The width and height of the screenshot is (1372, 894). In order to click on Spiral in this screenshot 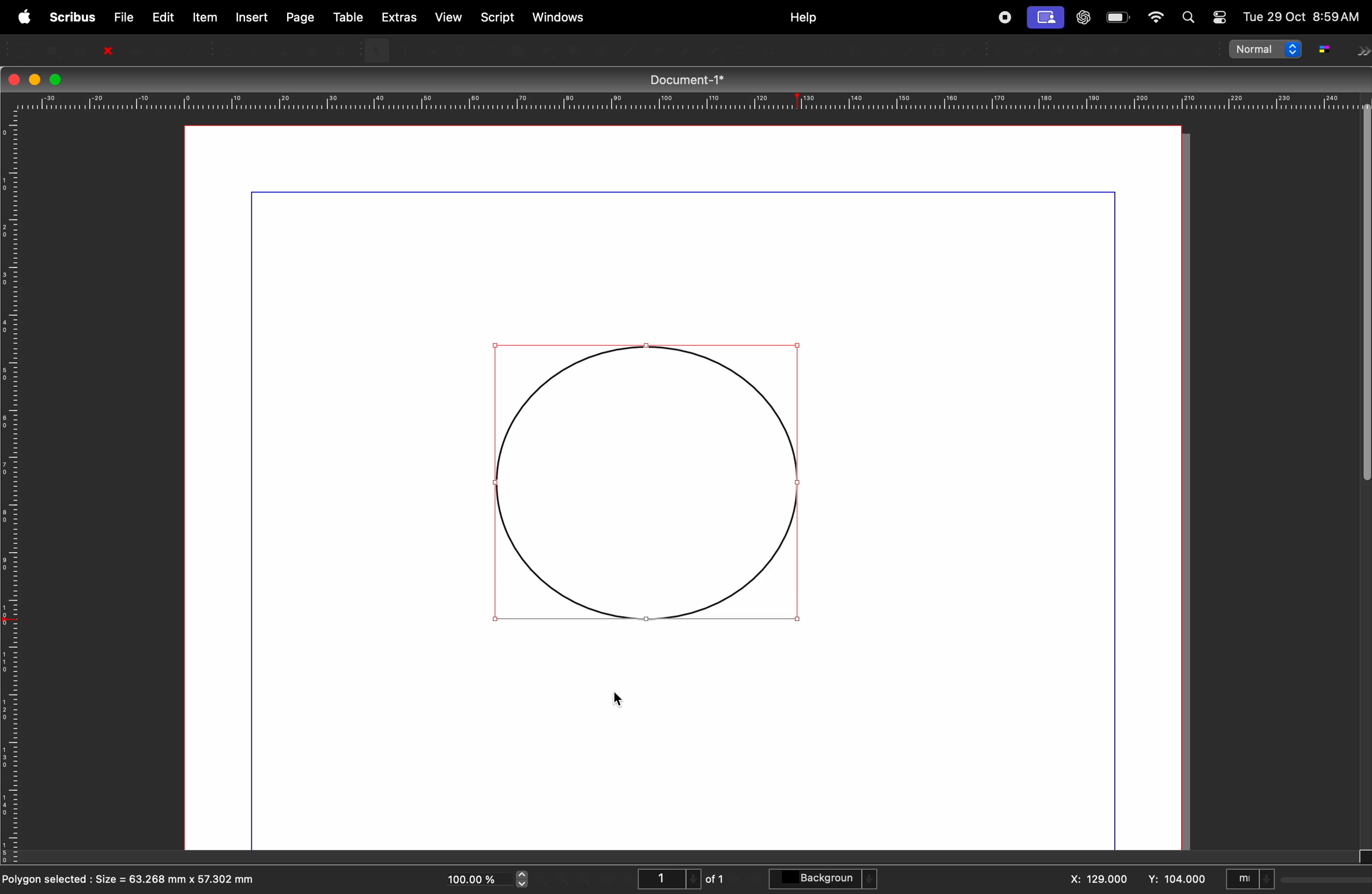, I will do `click(601, 50)`.